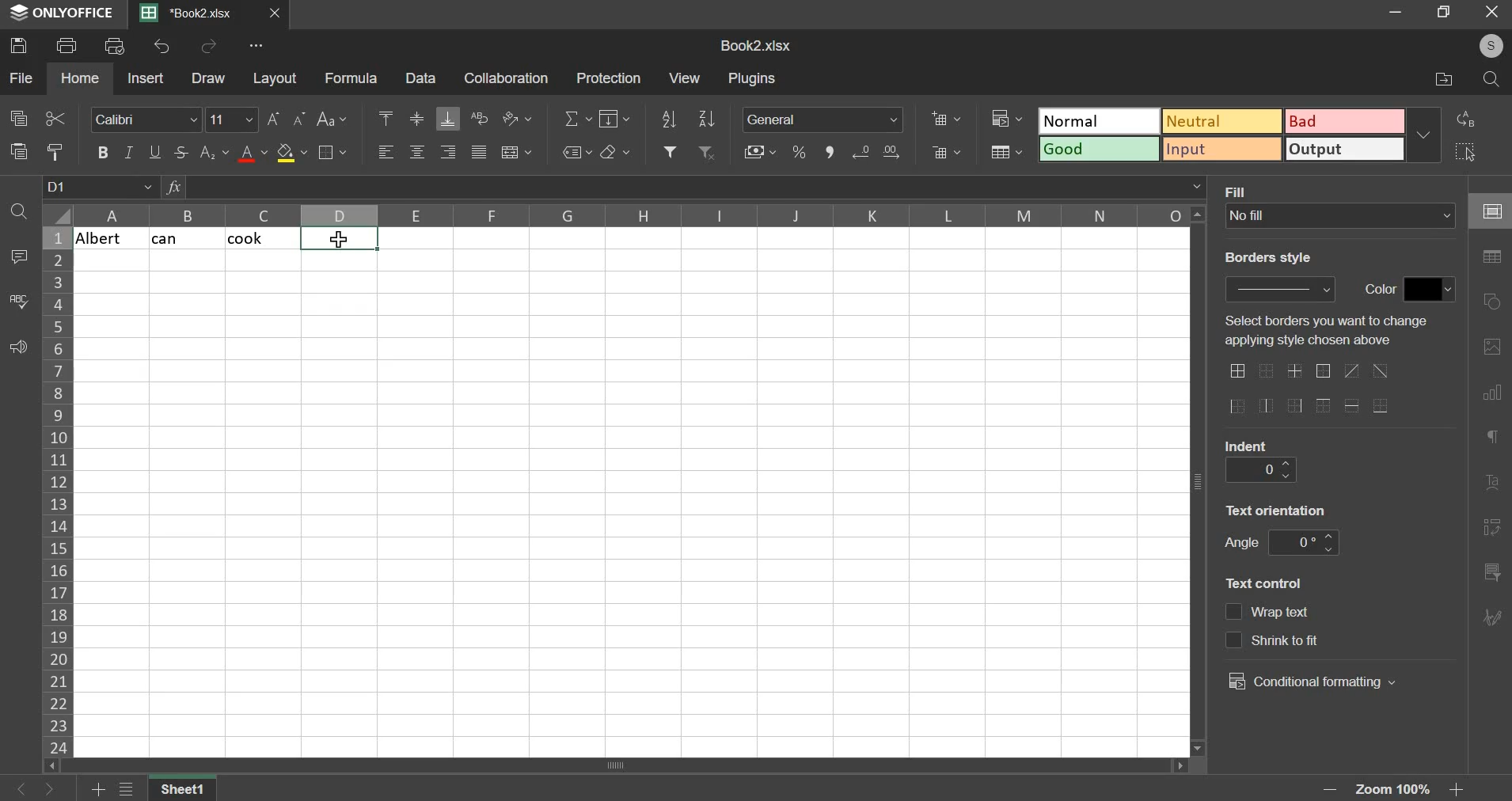  I want to click on spreadsheet name, so click(755, 46).